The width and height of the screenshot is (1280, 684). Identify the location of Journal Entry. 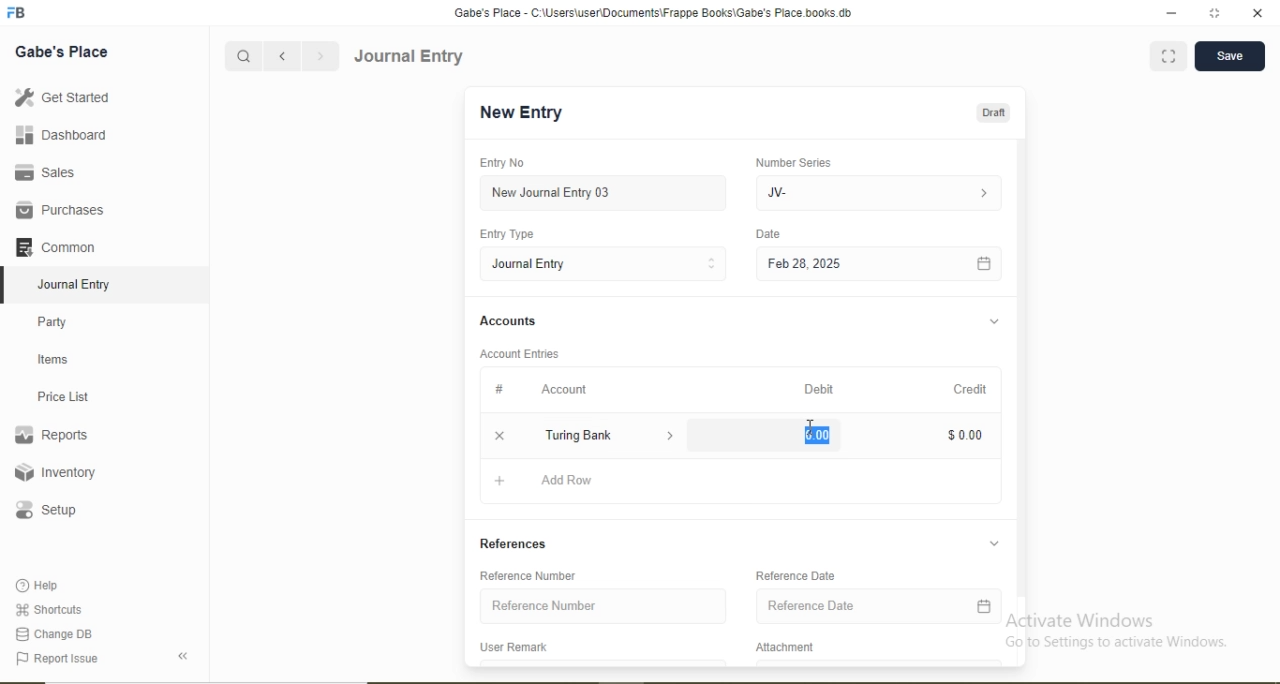
(410, 56).